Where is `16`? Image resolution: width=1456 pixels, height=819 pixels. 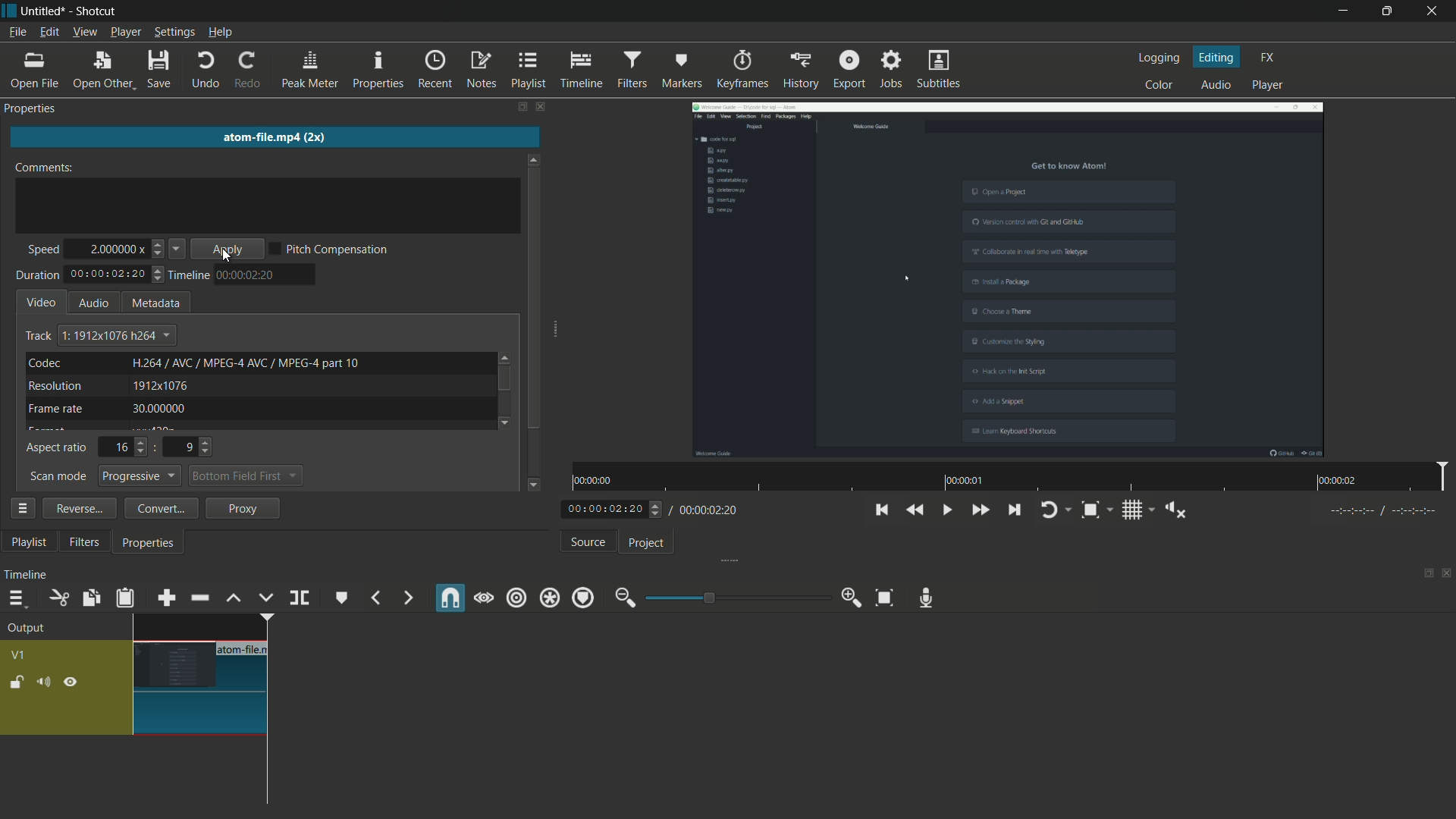 16 is located at coordinates (121, 448).